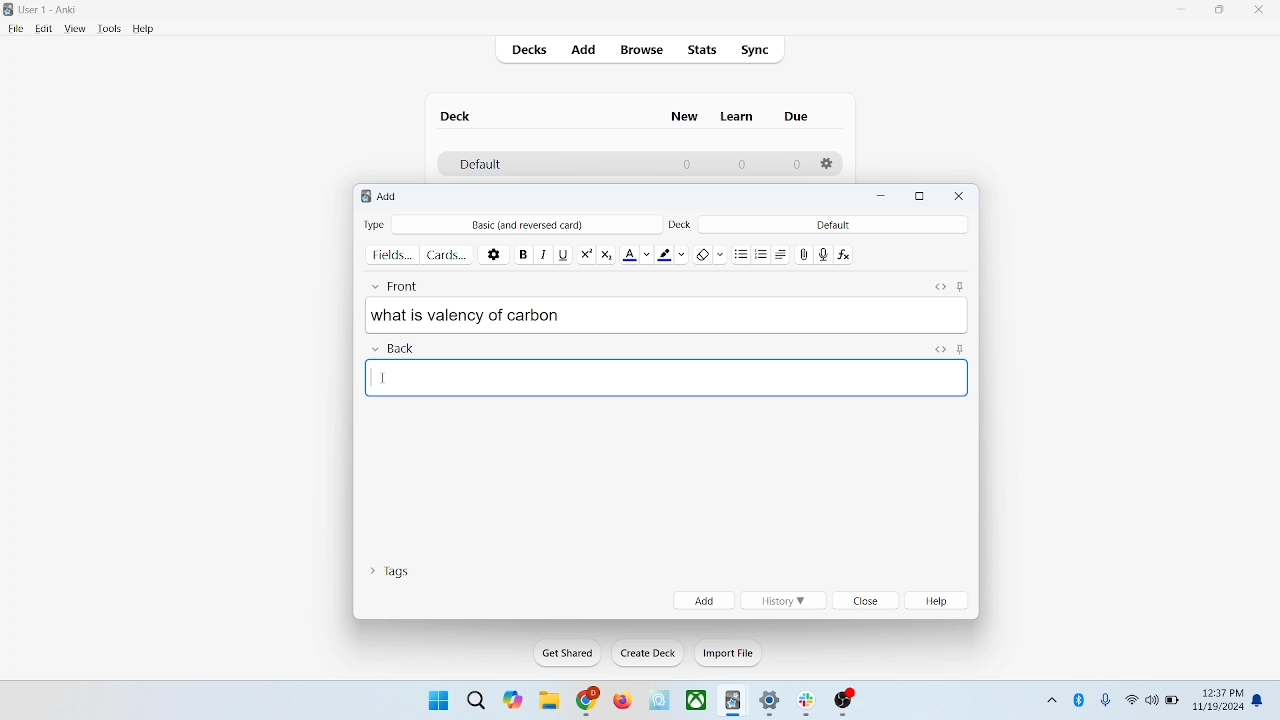  What do you see at coordinates (399, 283) in the screenshot?
I see `front` at bounding box center [399, 283].